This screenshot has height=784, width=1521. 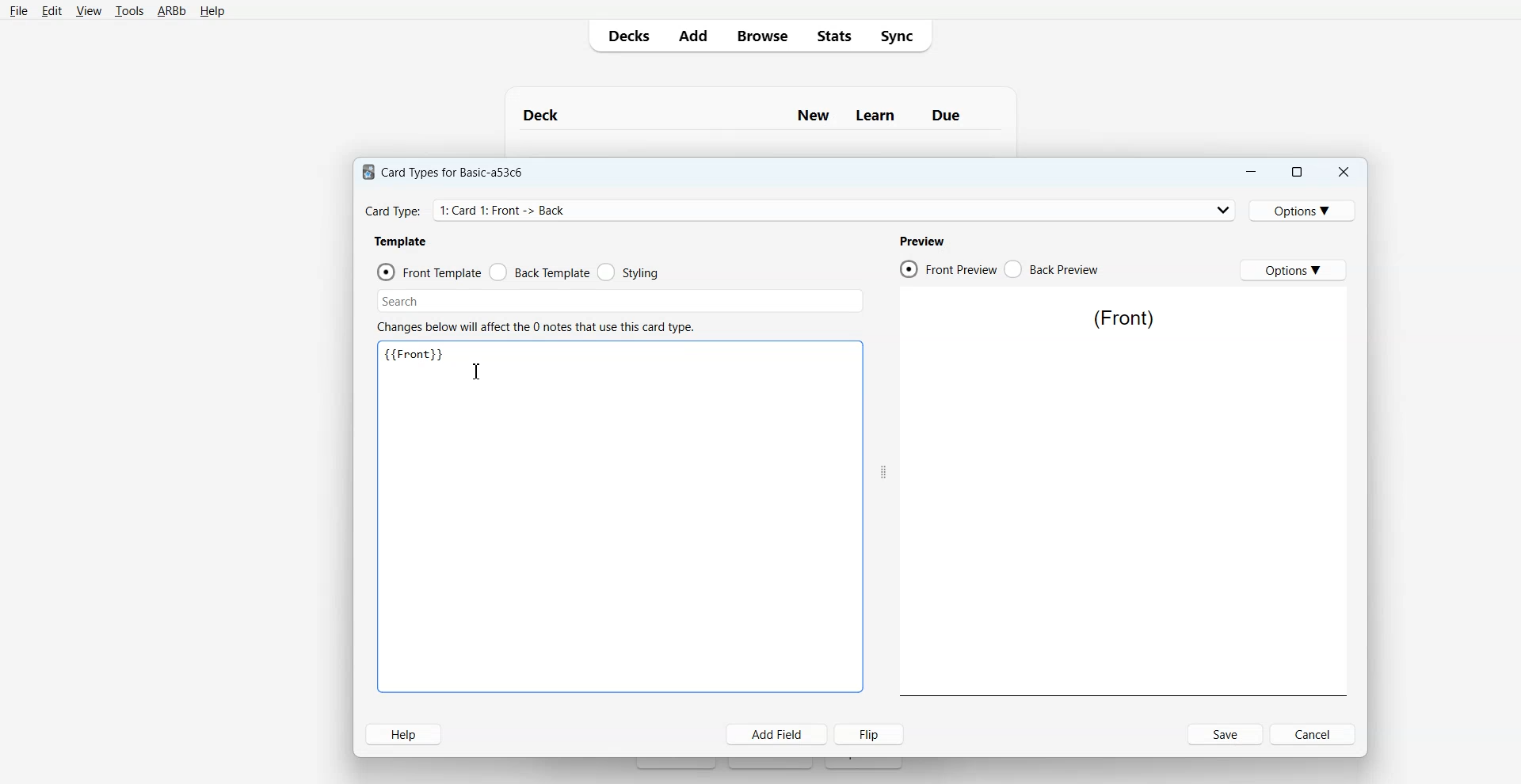 What do you see at coordinates (625, 36) in the screenshot?
I see `Decks` at bounding box center [625, 36].